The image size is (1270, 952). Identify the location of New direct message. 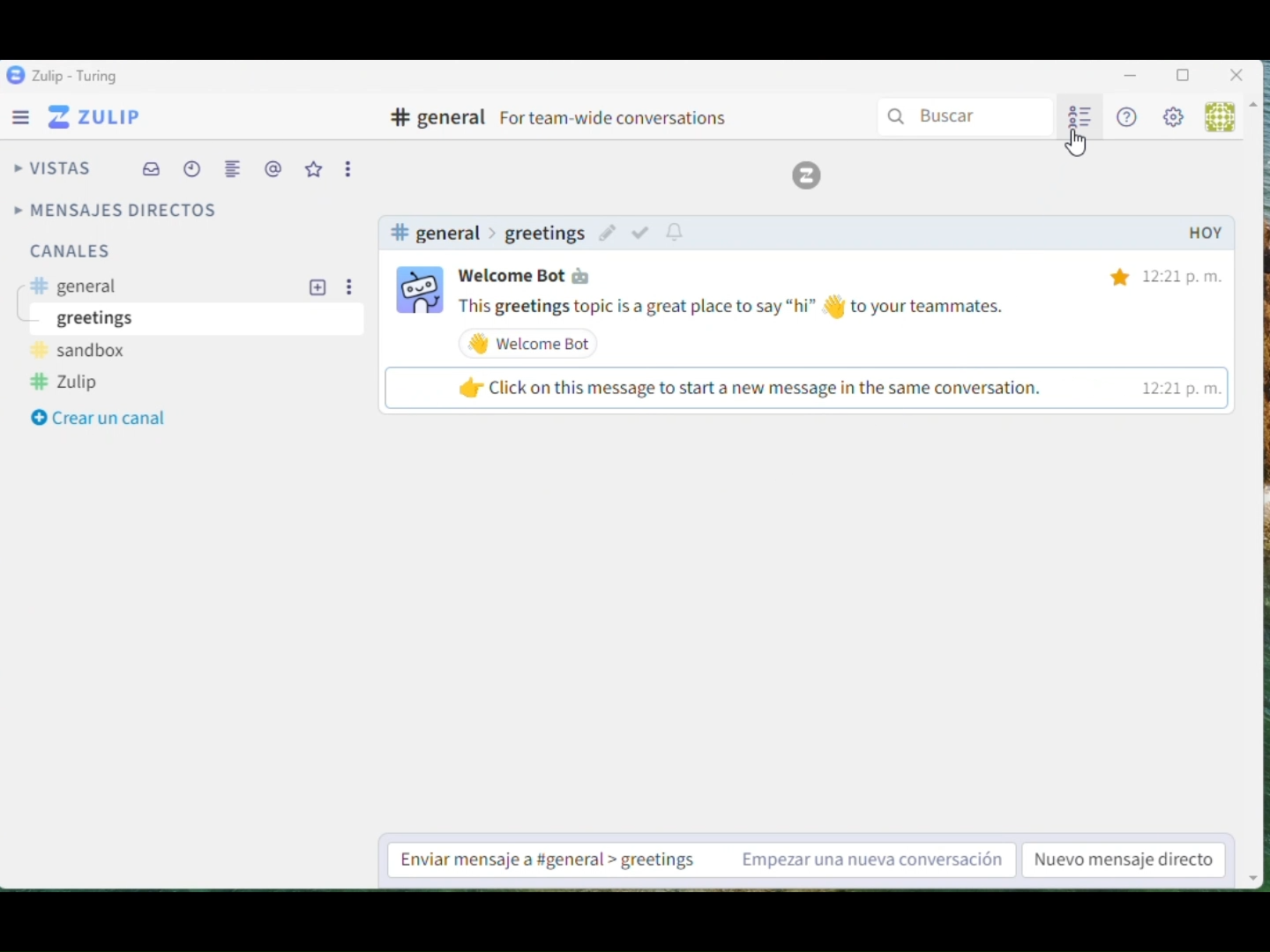
(1127, 860).